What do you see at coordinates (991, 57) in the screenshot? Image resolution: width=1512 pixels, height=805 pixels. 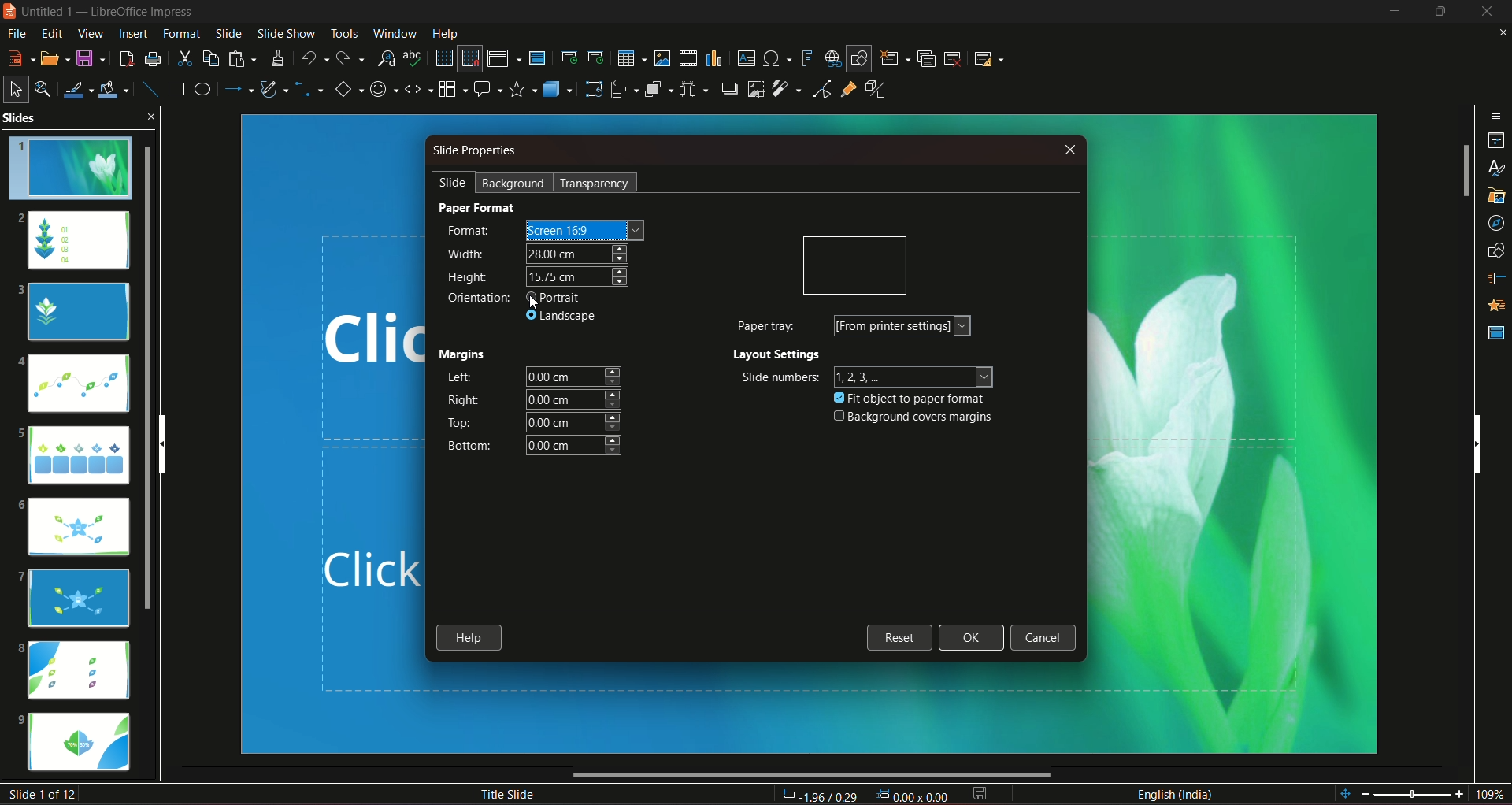 I see `slide layout` at bounding box center [991, 57].